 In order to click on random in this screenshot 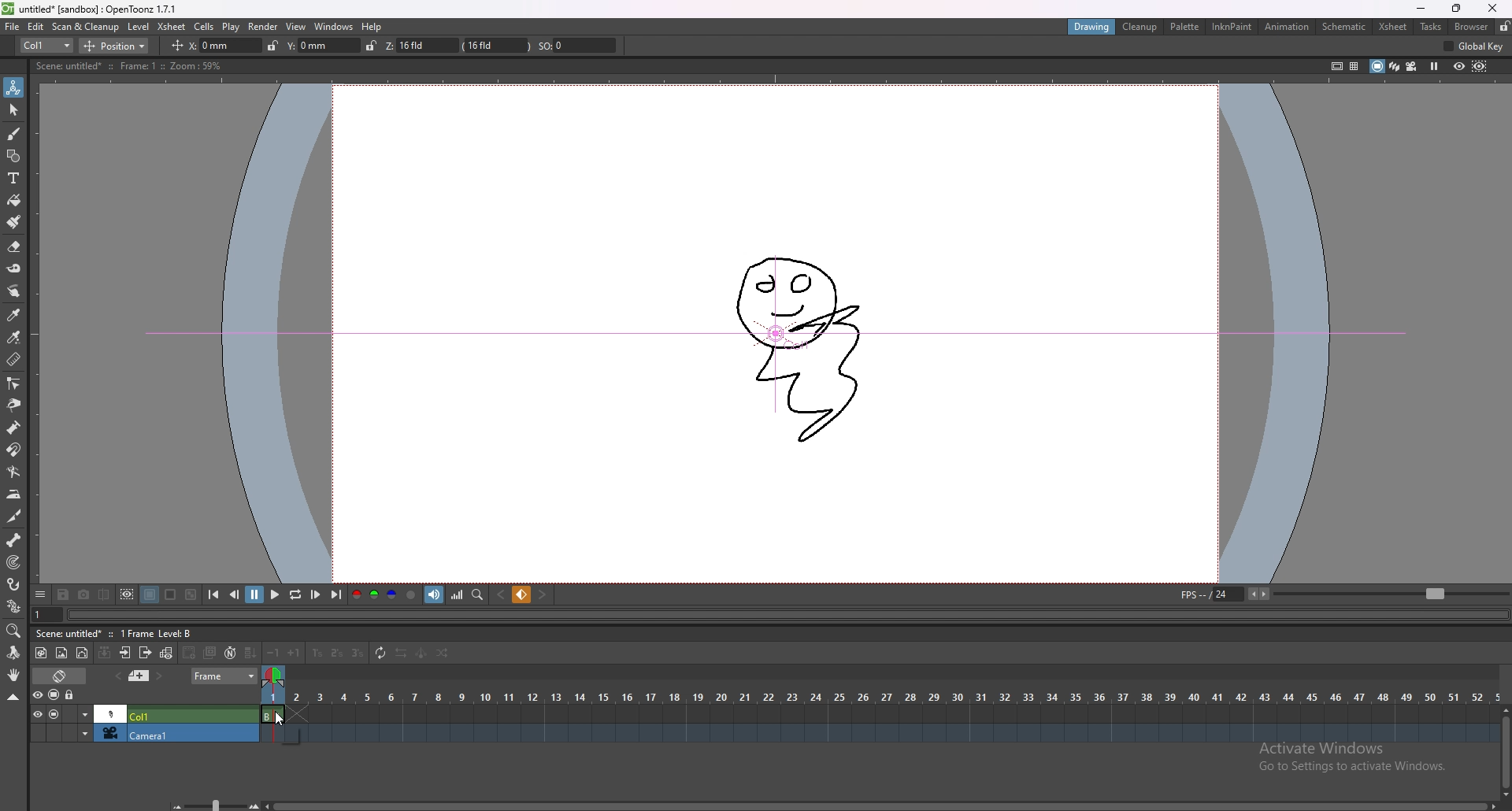, I will do `click(443, 654)`.